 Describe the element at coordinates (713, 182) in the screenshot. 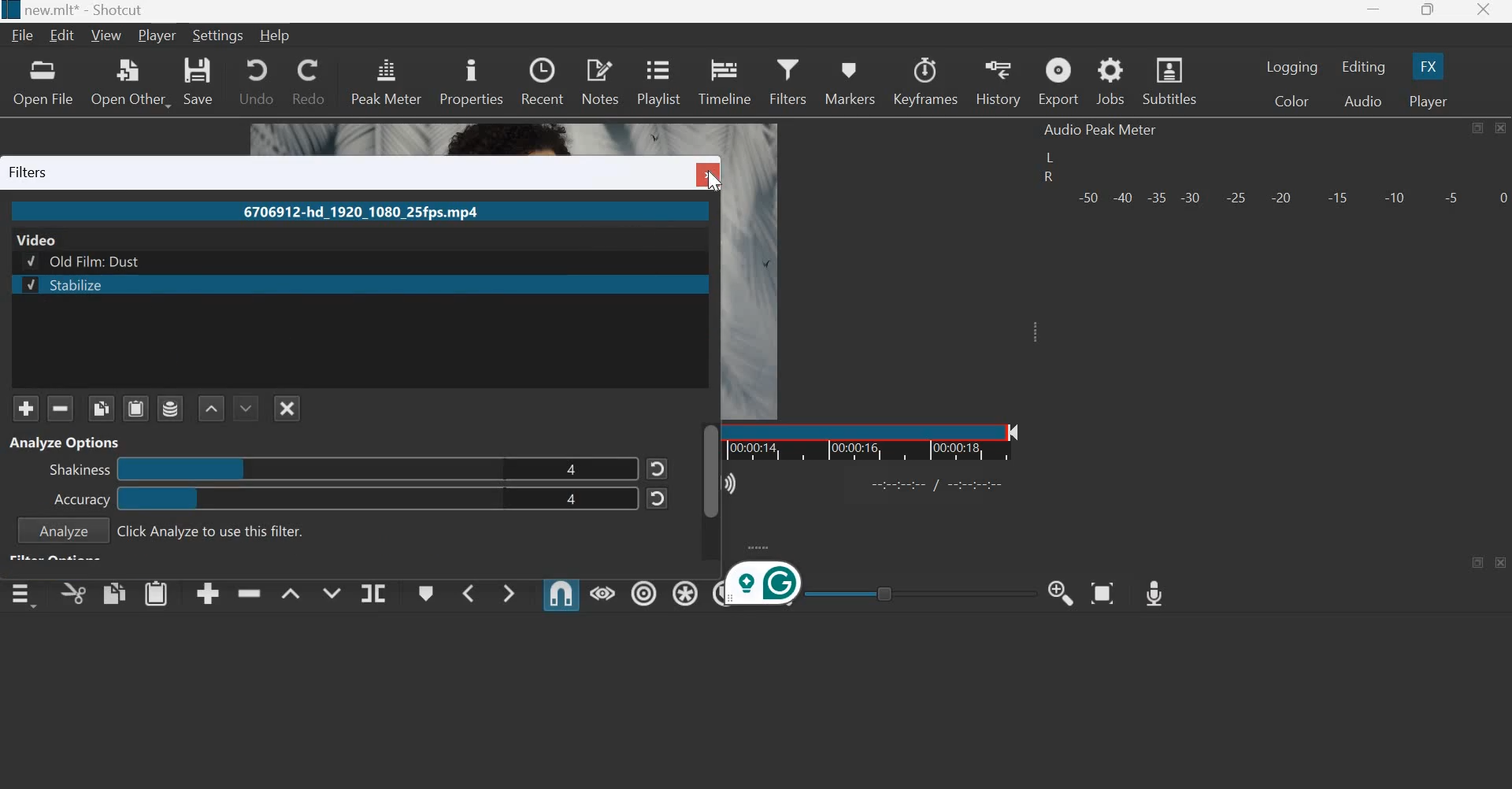

I see `cursor` at that location.